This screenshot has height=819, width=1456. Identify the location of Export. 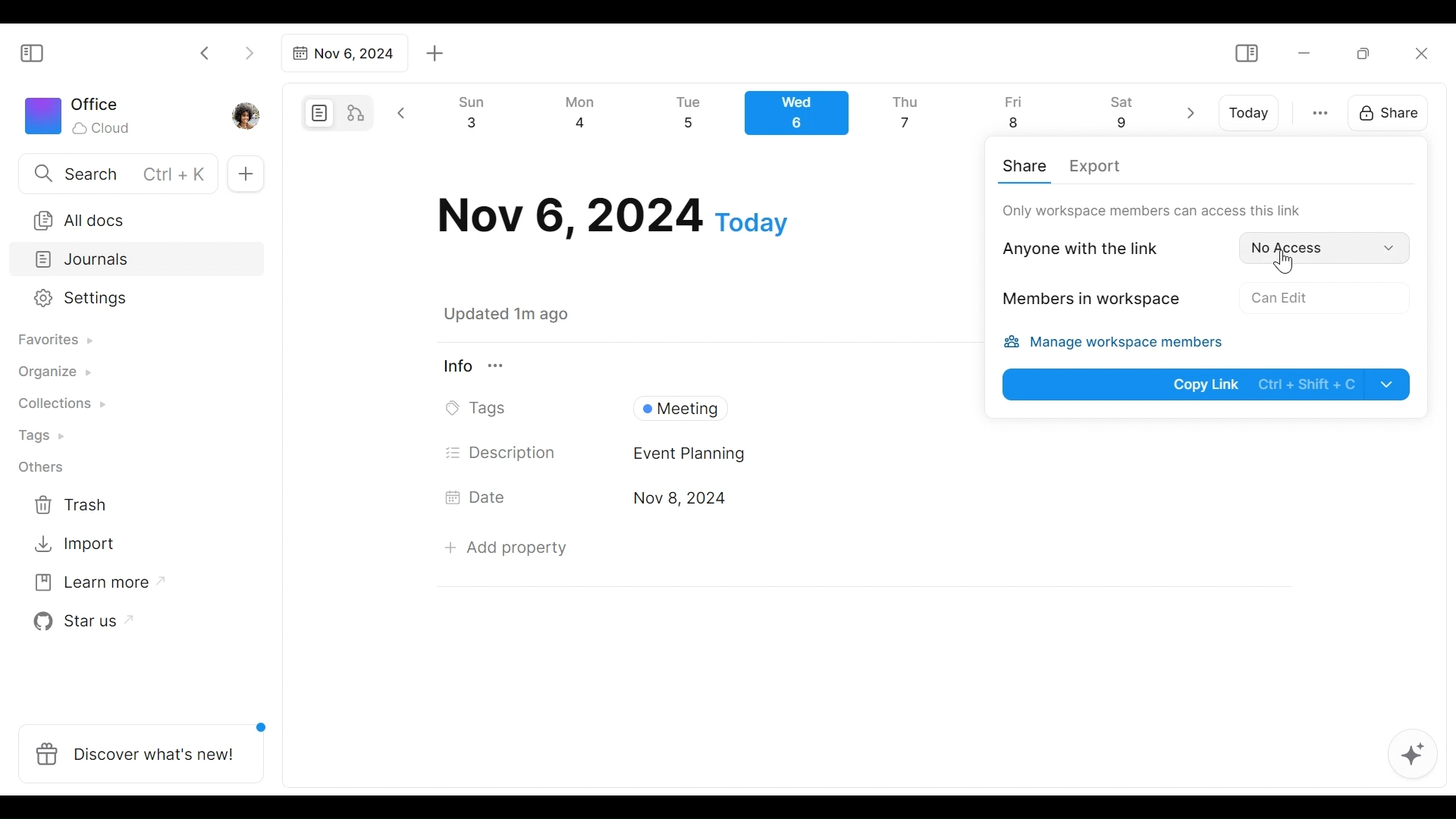
(1094, 168).